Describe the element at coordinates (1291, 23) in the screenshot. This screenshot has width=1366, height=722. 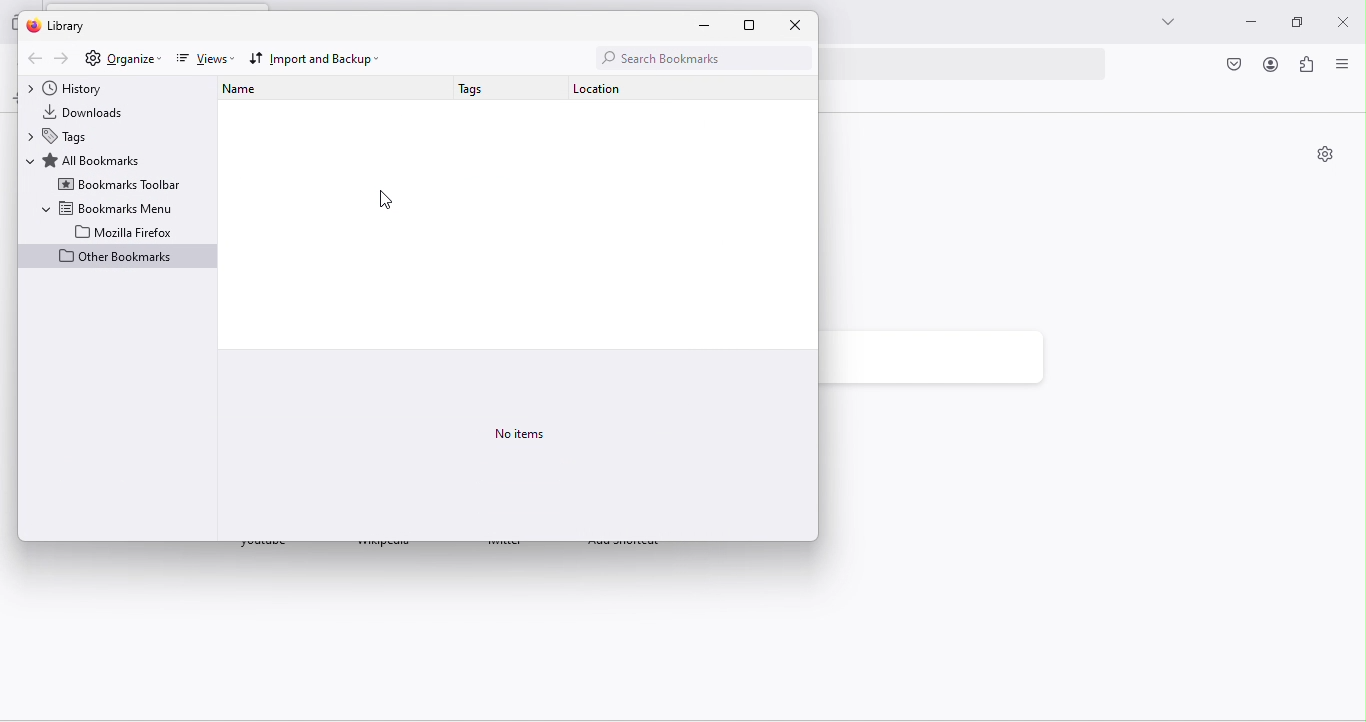
I see `maximize` at that location.